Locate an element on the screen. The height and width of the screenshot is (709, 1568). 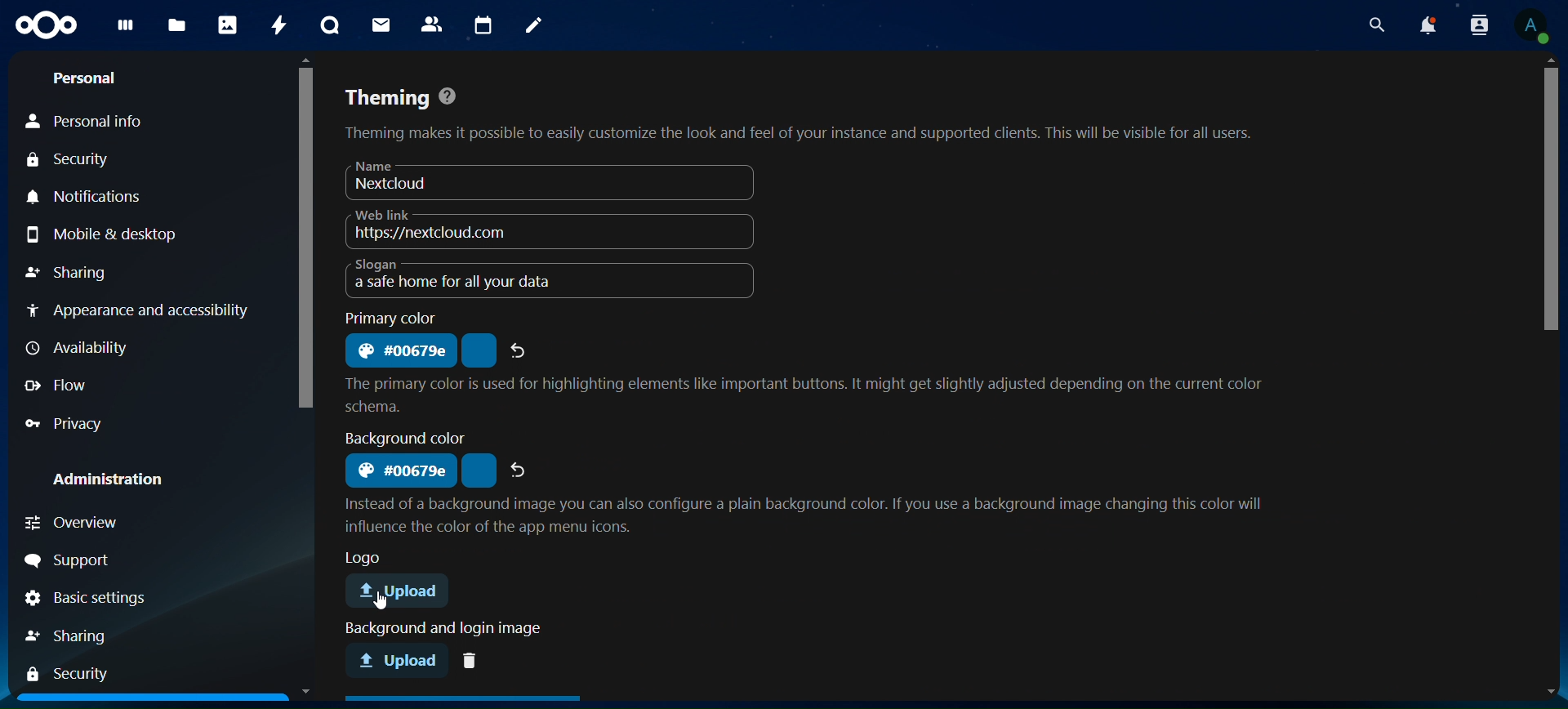
search is located at coordinates (1379, 25).